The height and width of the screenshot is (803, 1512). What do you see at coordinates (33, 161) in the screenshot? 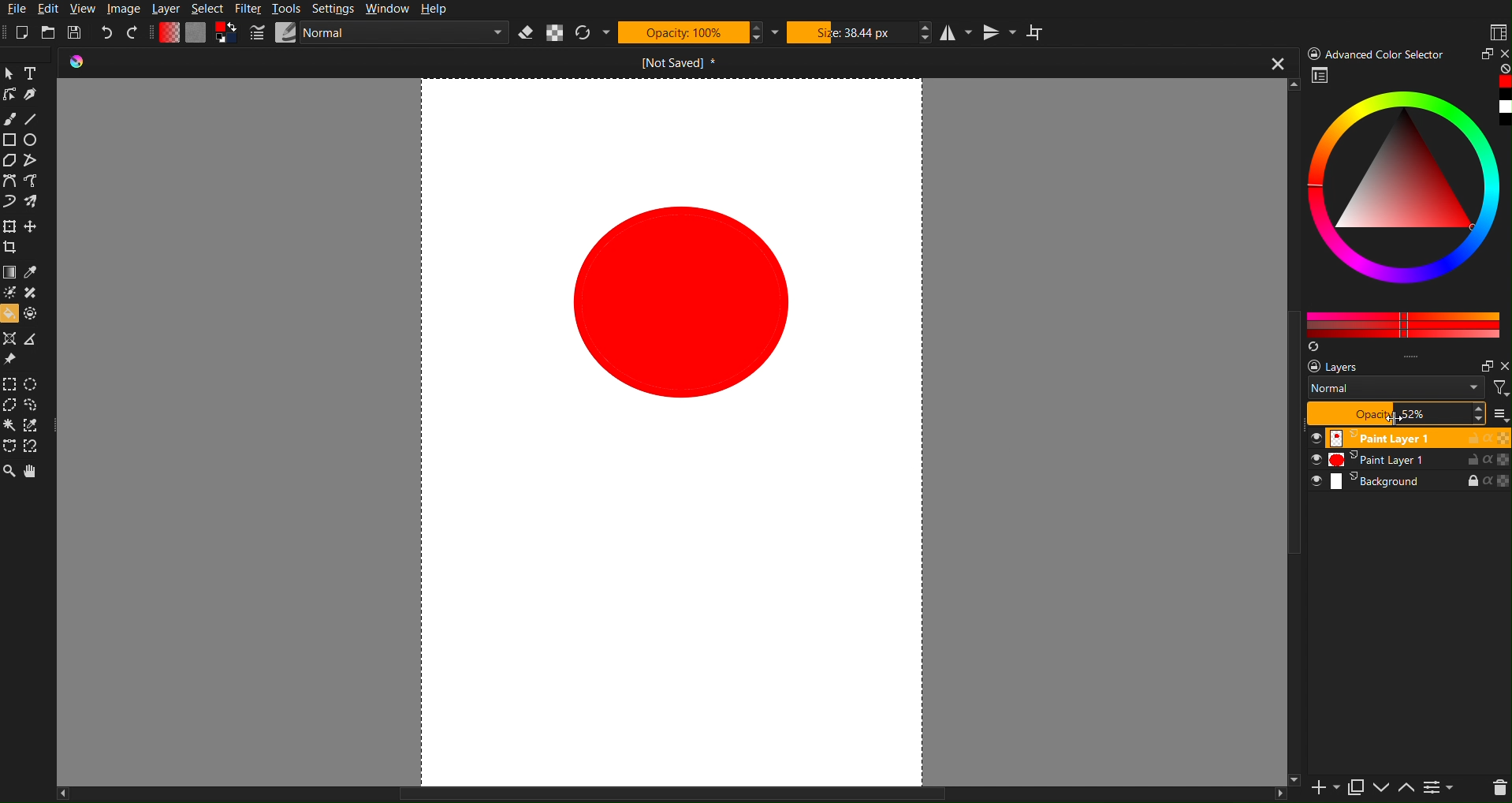
I see `Polyline` at bounding box center [33, 161].